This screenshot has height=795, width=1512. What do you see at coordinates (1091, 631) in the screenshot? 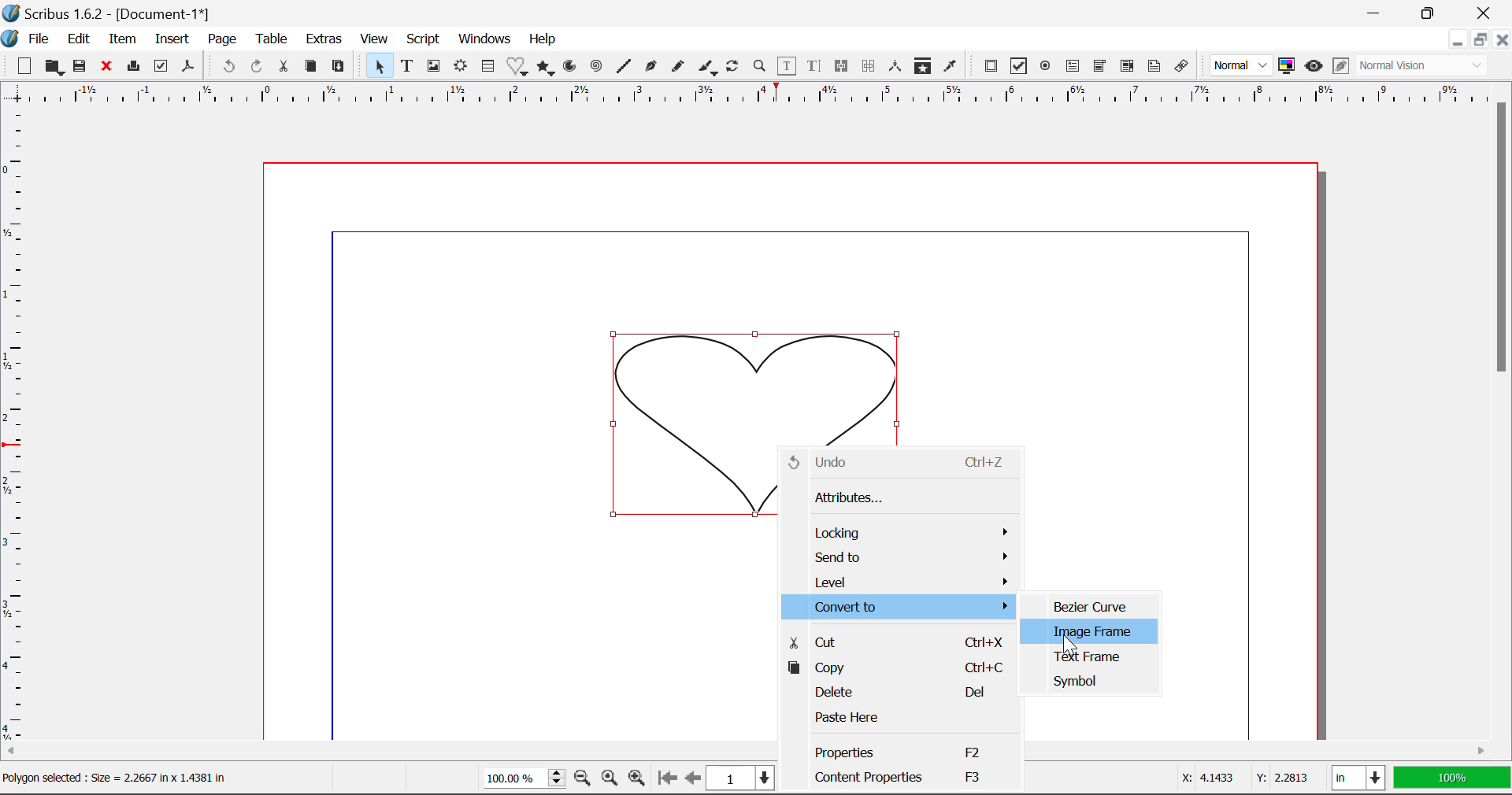
I see `Image Frame` at bounding box center [1091, 631].